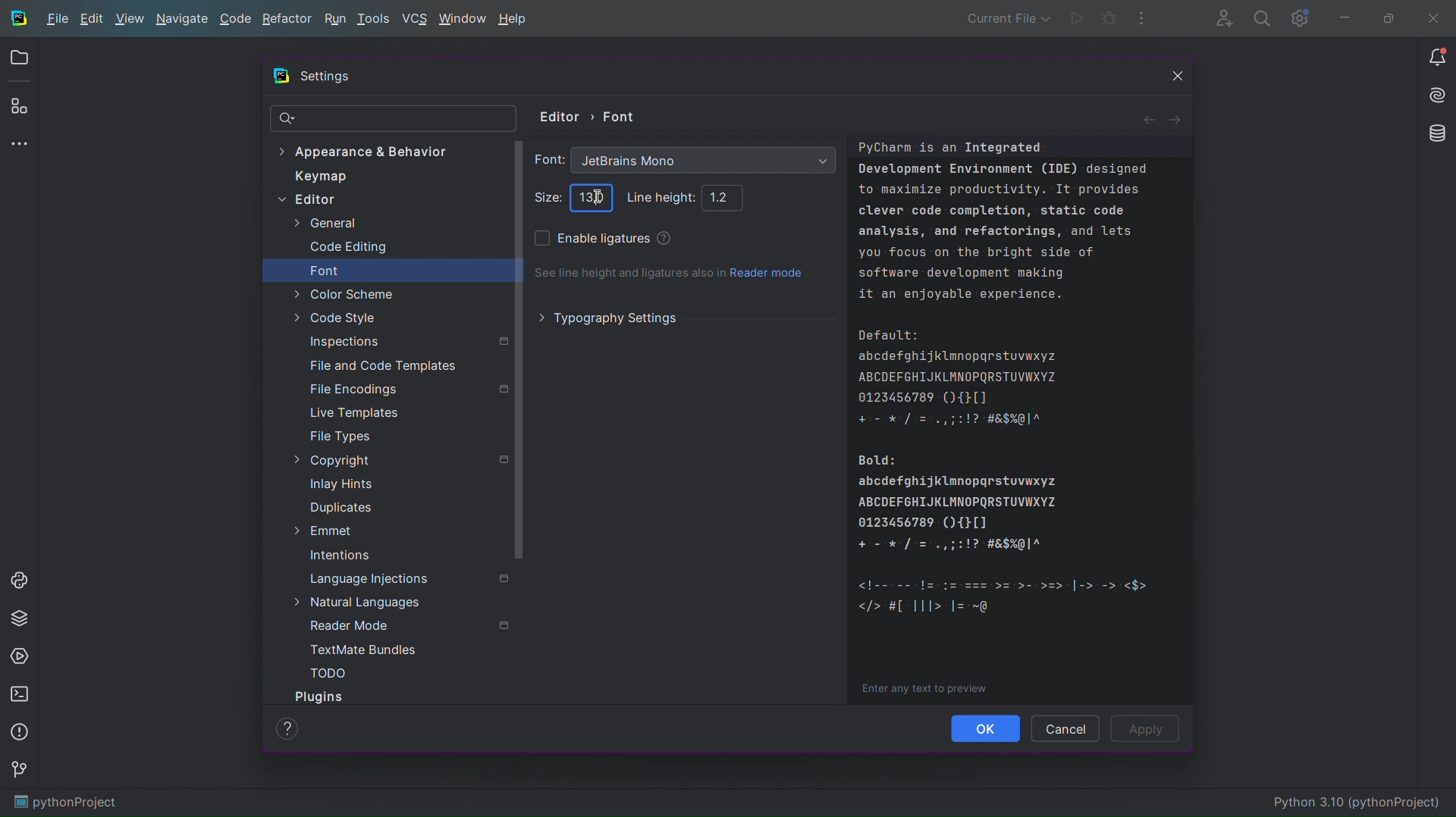 The height and width of the screenshot is (817, 1456). Describe the element at coordinates (20, 108) in the screenshot. I see `Plugins` at that location.